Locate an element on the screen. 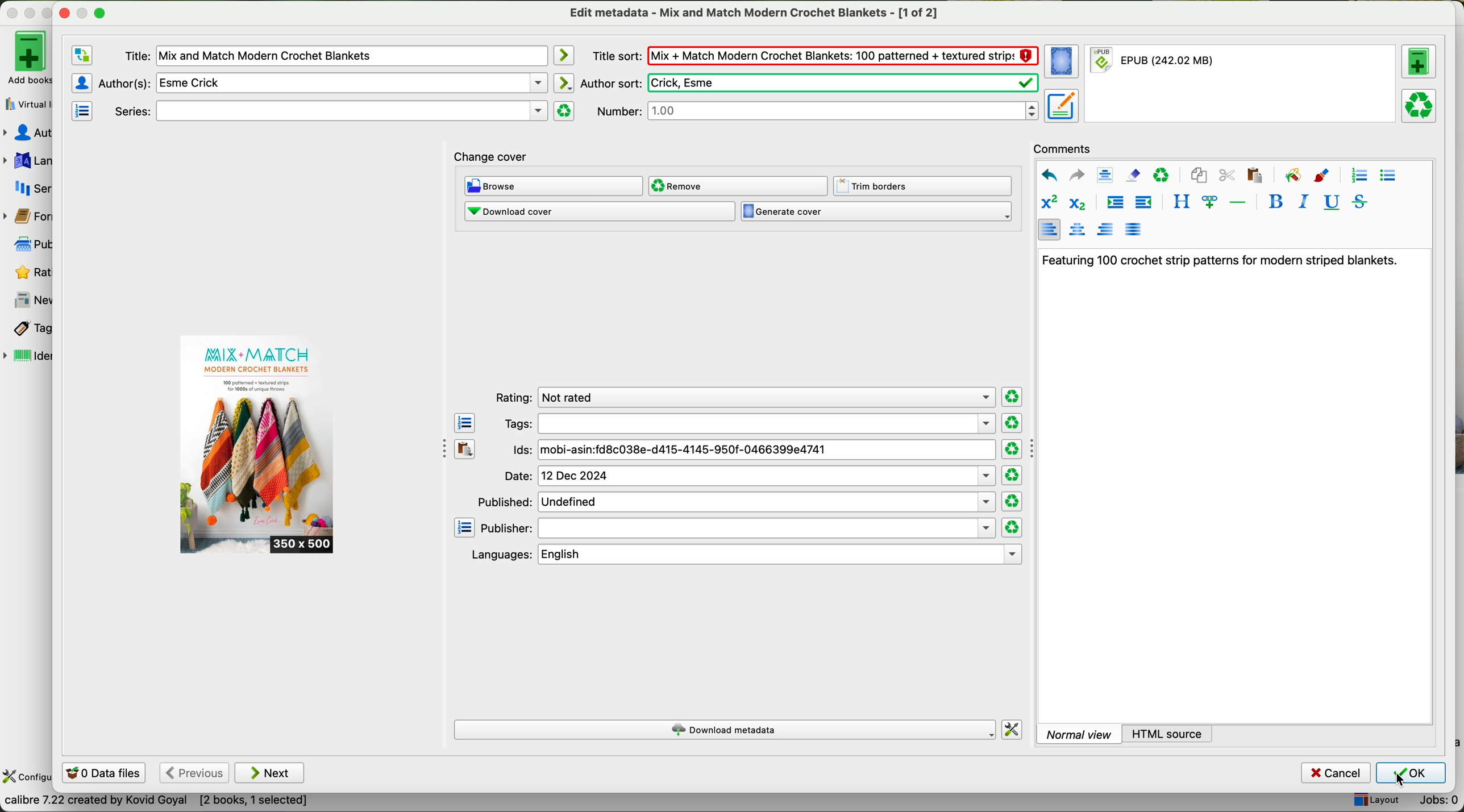  edit metadata is located at coordinates (756, 13).